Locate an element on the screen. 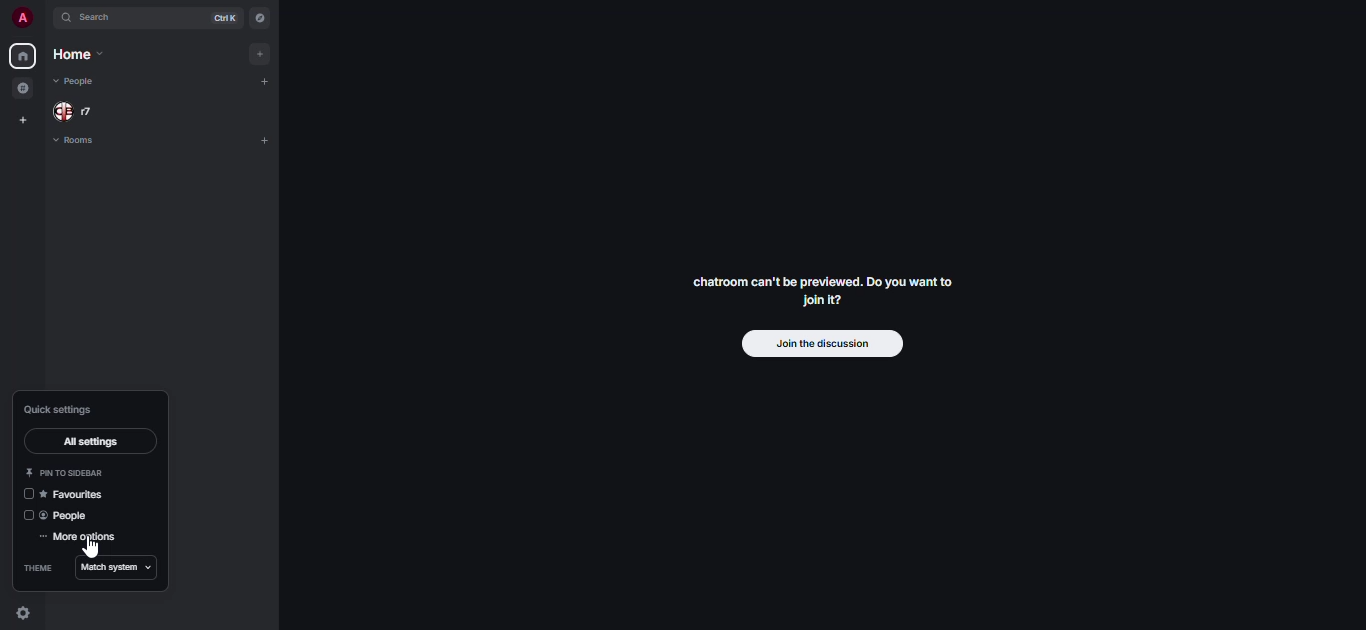  favorites is located at coordinates (76, 495).